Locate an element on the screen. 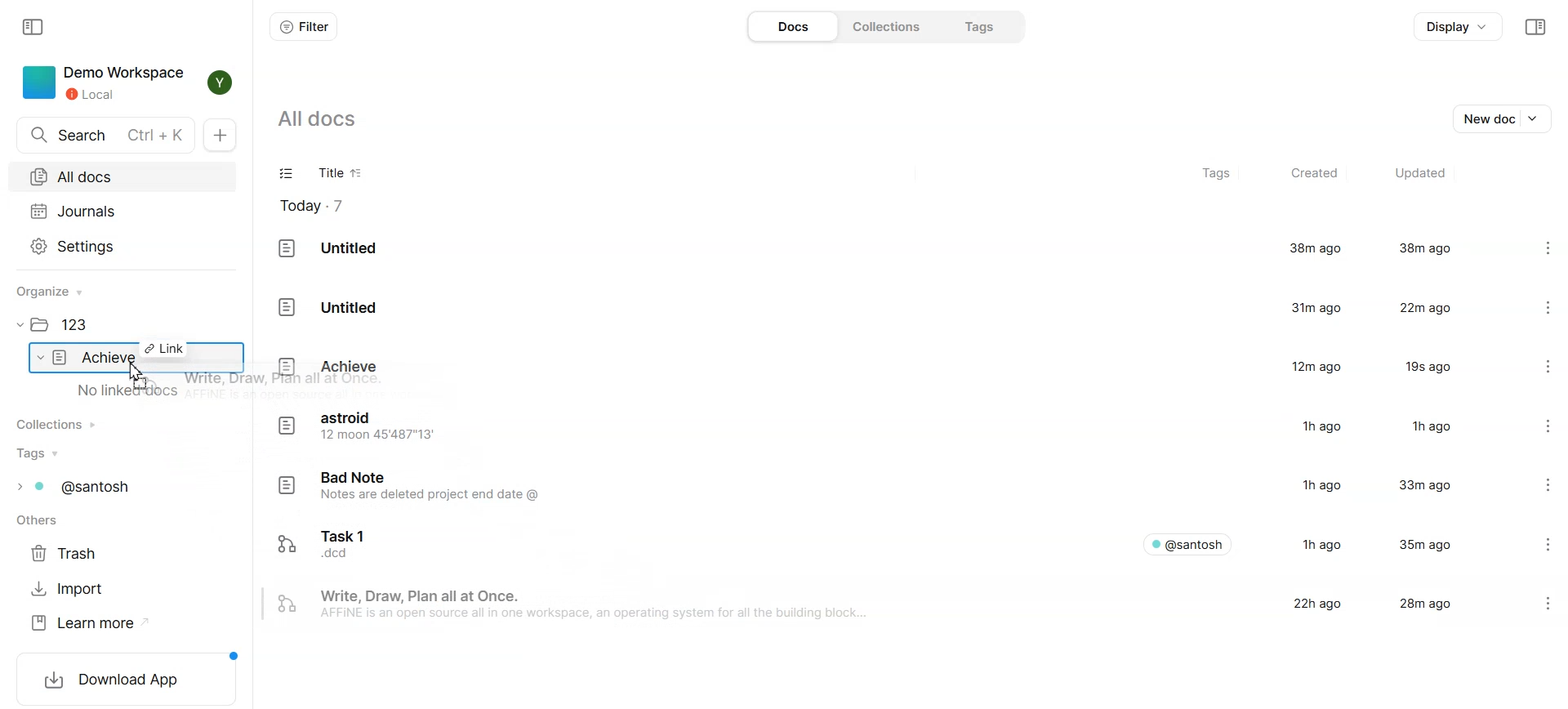  Doc file is located at coordinates (877, 427).